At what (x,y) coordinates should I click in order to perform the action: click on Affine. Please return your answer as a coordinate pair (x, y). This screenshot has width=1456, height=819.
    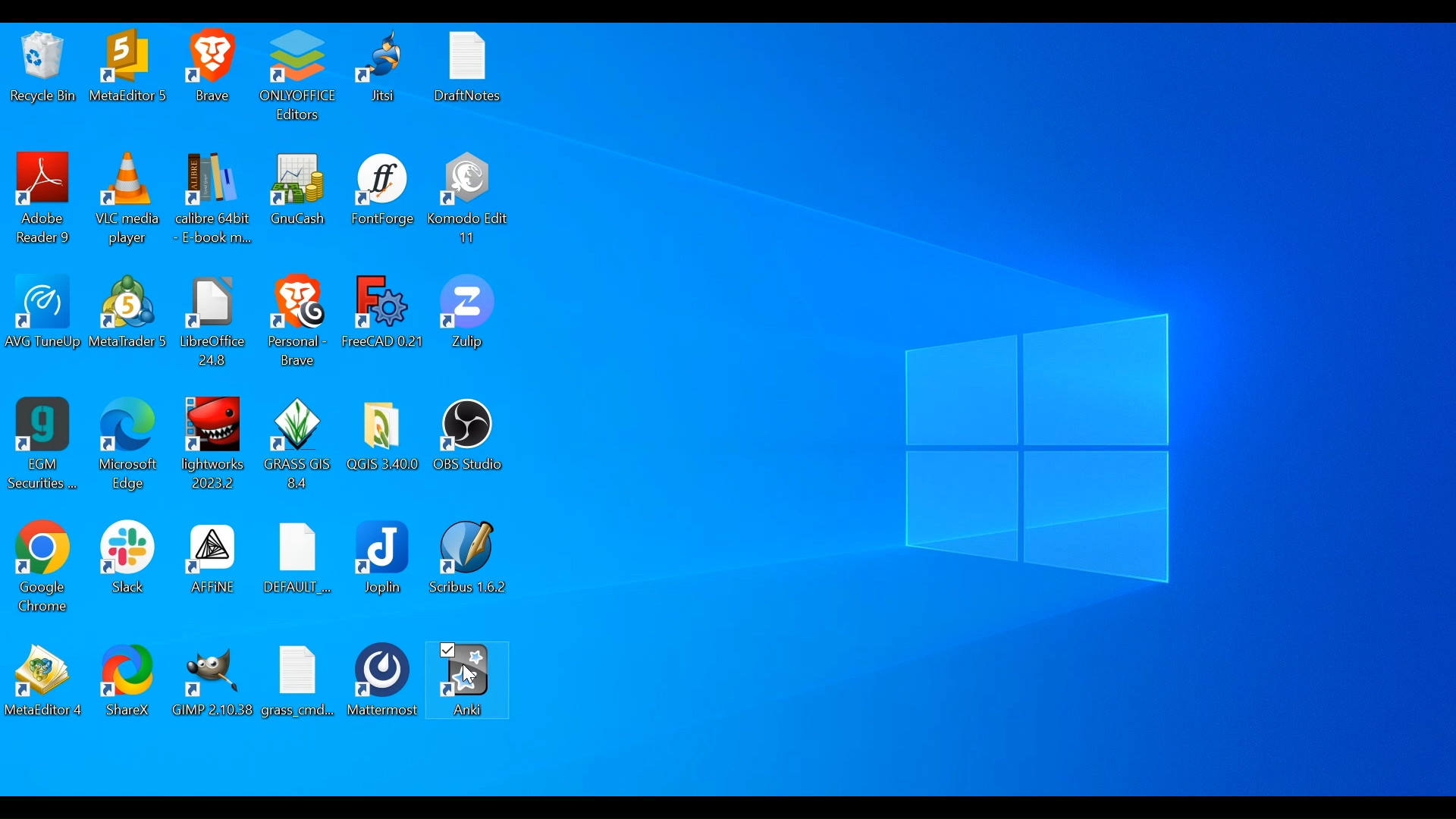
    Looking at the image, I should click on (212, 559).